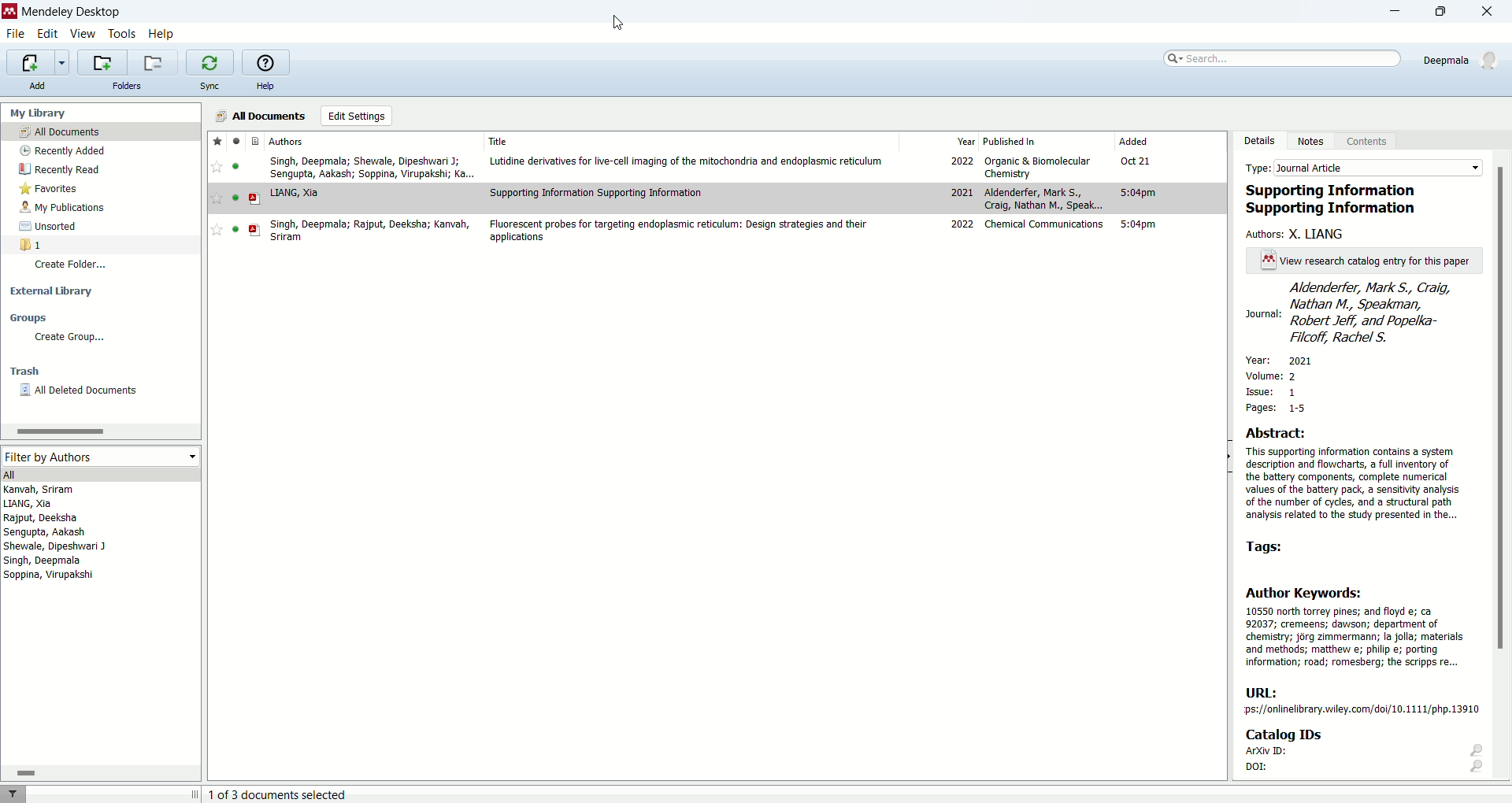  What do you see at coordinates (73, 268) in the screenshot?
I see `create folder` at bounding box center [73, 268].